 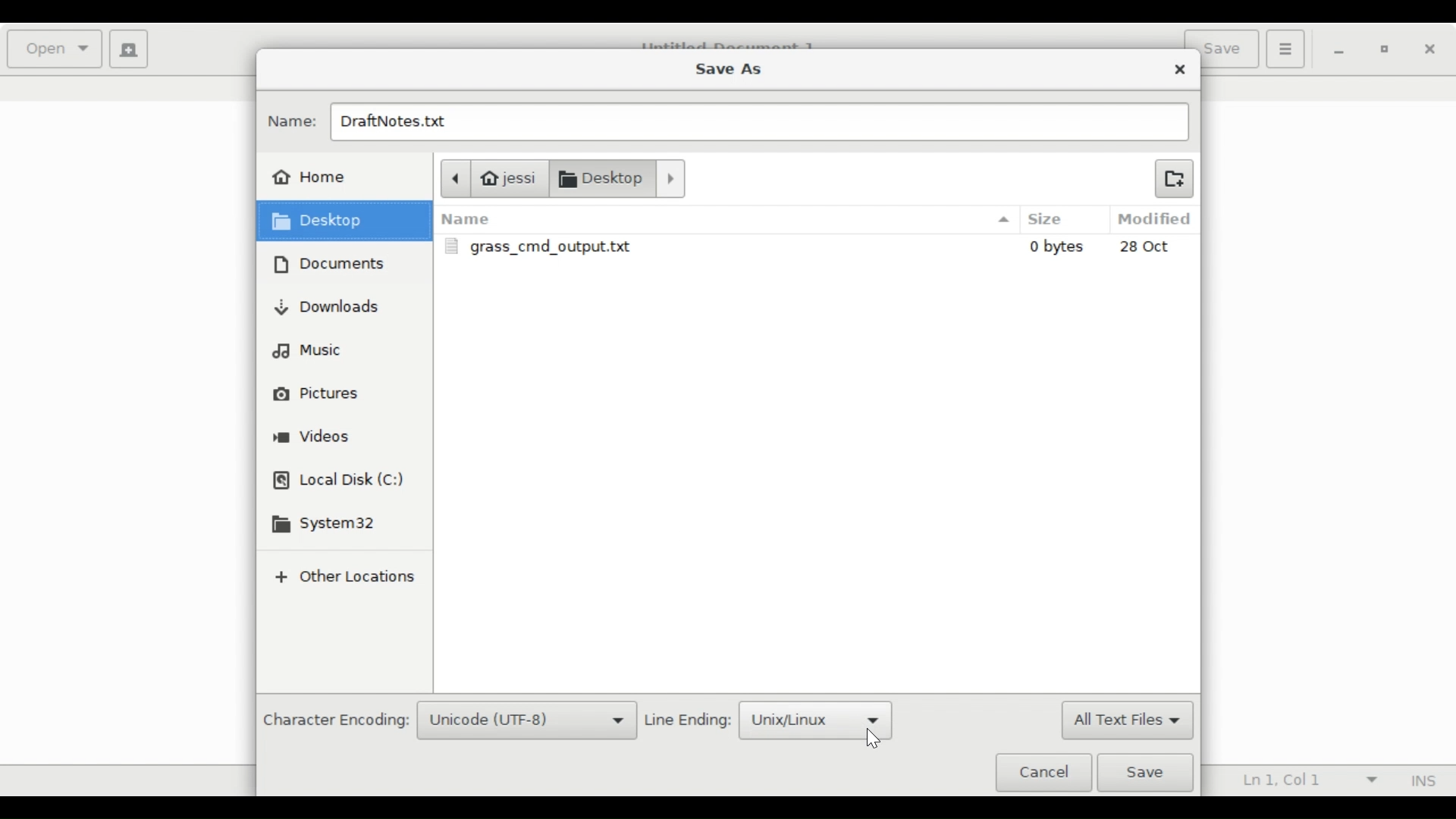 I want to click on minimize, so click(x=1341, y=51).